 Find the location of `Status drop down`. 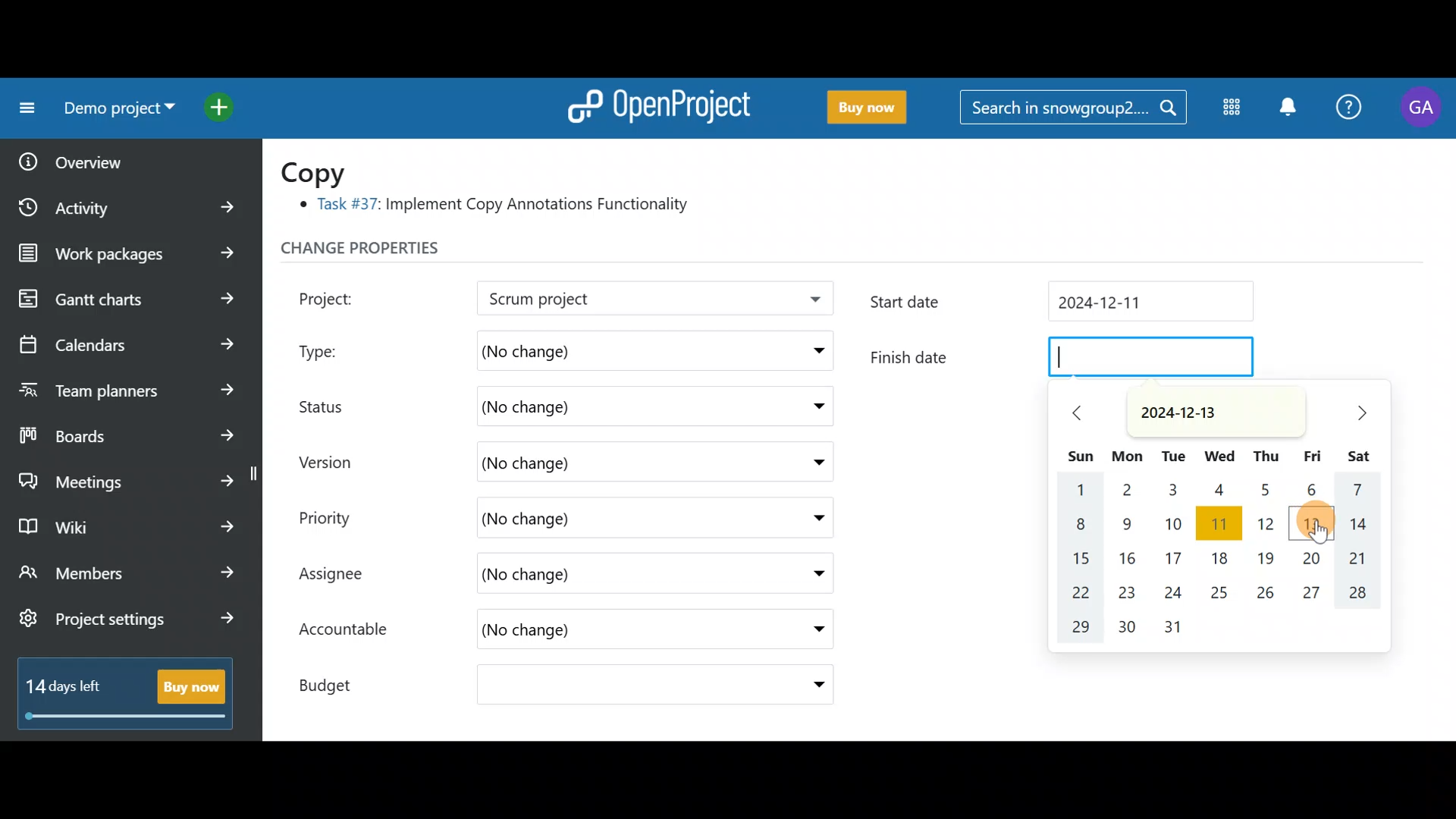

Status drop down is located at coordinates (814, 406).